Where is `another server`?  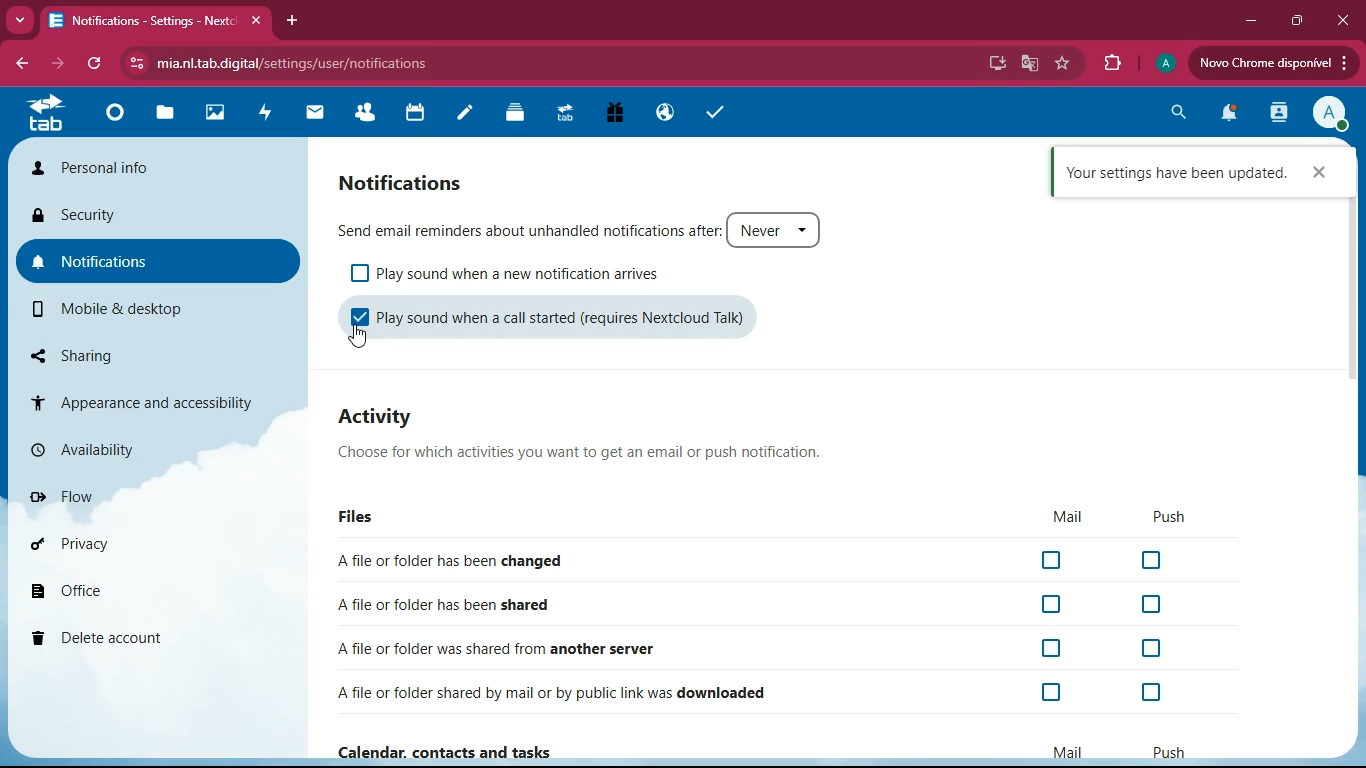 another server is located at coordinates (497, 649).